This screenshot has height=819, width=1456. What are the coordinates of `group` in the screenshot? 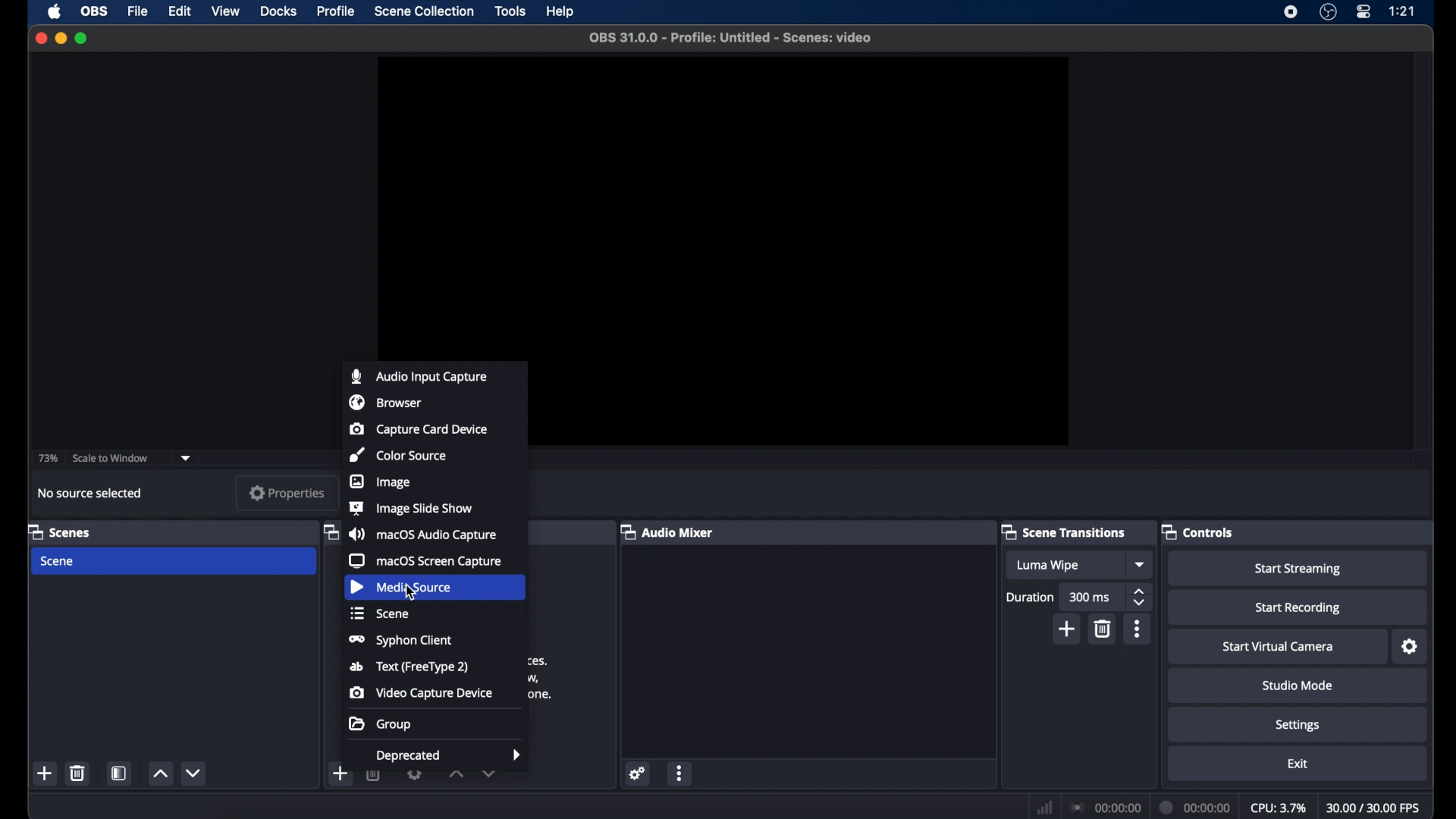 It's located at (379, 723).